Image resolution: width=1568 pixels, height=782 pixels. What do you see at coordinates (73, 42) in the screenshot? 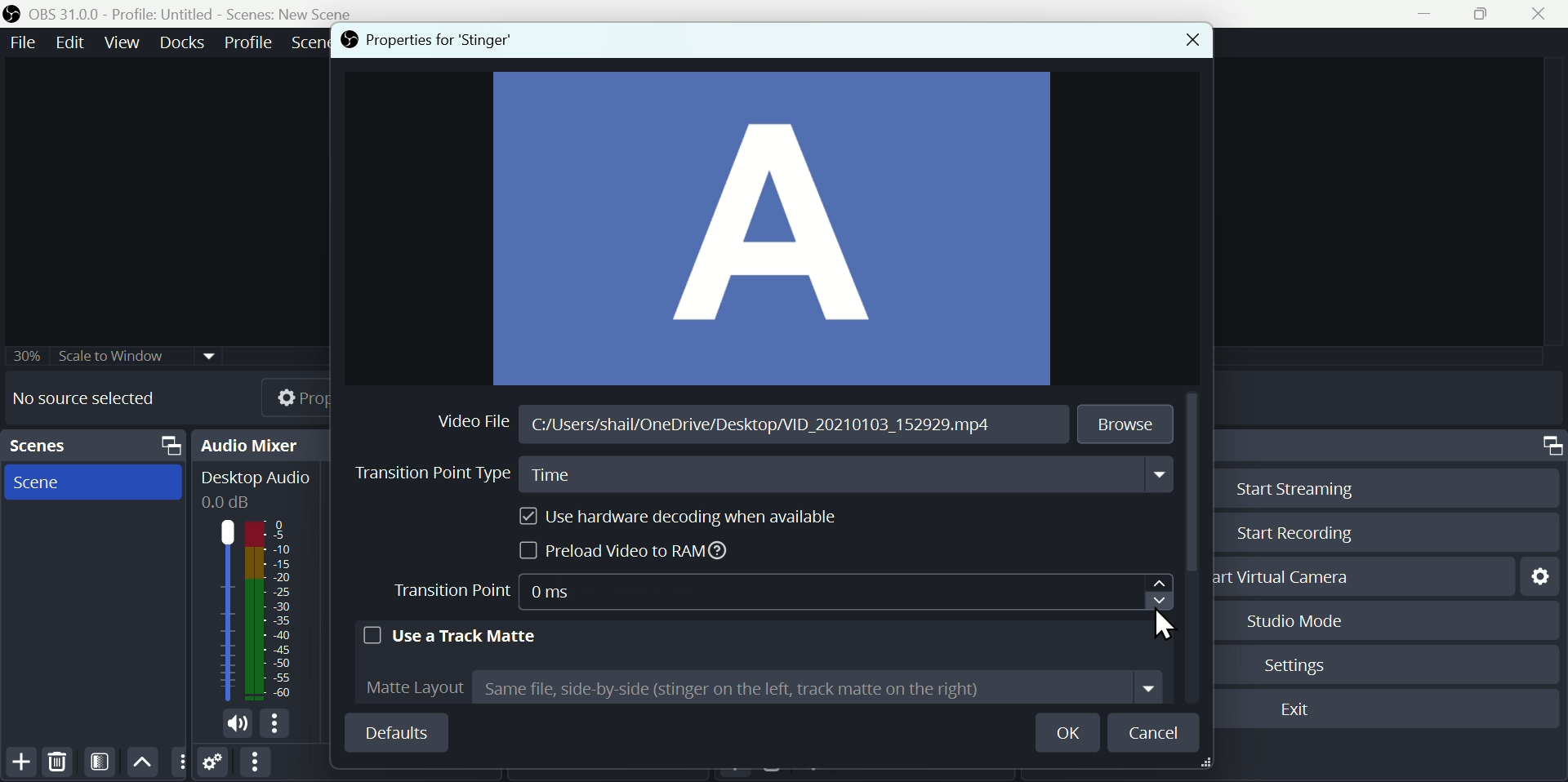
I see `` at bounding box center [73, 42].